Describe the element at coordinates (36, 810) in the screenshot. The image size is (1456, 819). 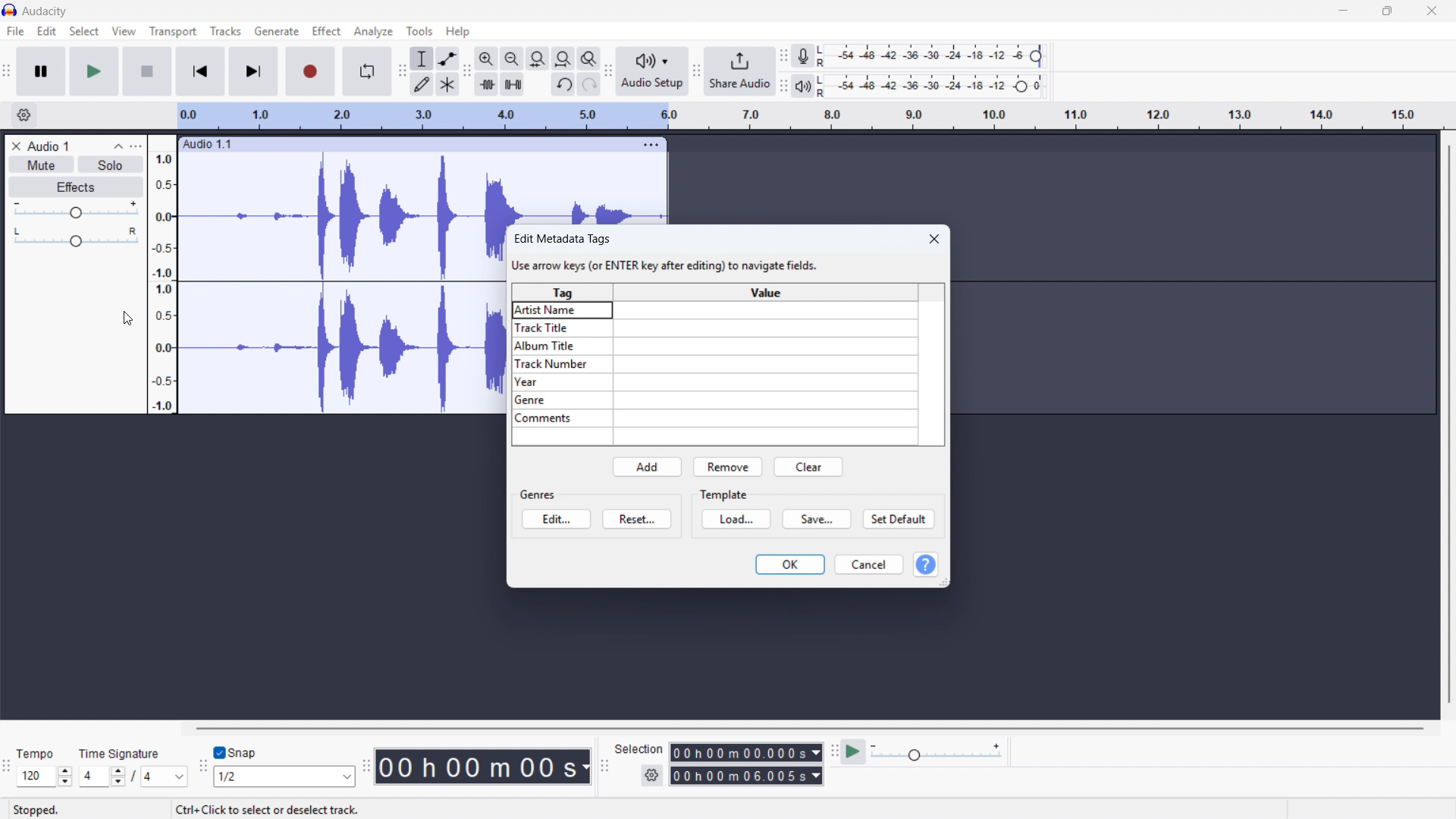
I see `status: stopped` at that location.